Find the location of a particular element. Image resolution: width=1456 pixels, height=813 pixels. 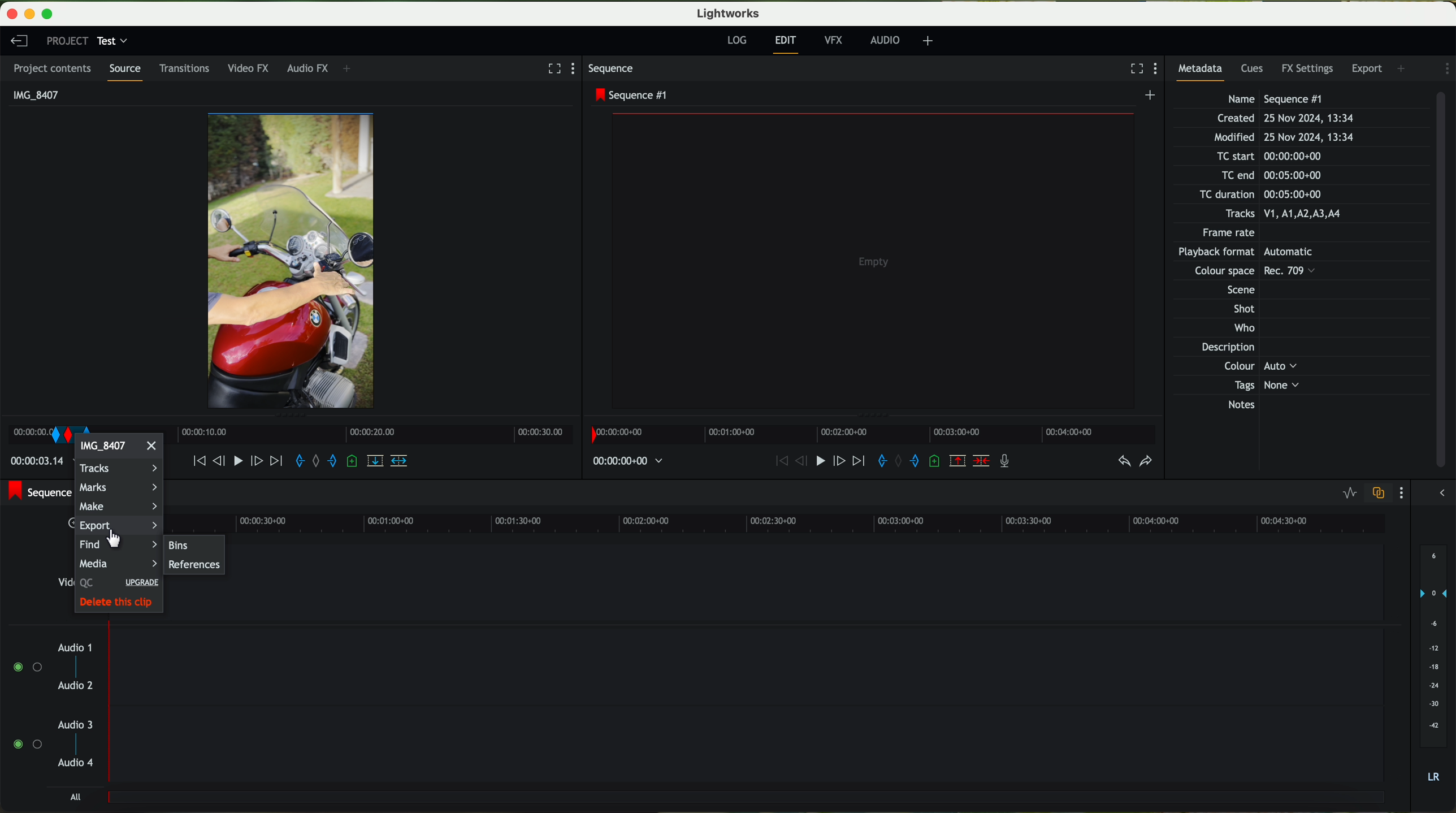

scroll bar is located at coordinates (1446, 281).